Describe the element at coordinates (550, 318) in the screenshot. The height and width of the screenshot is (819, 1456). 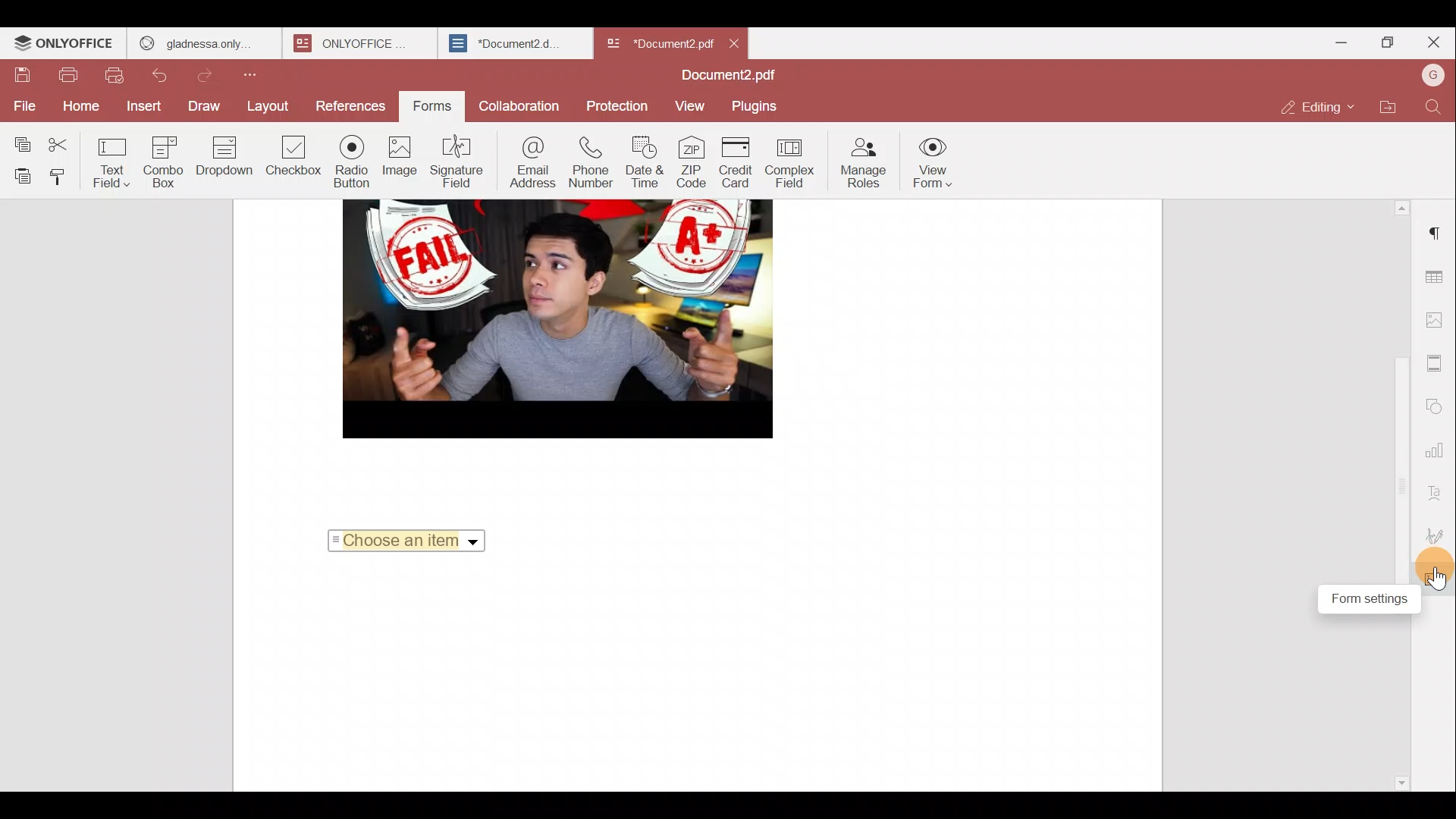
I see `image` at that location.